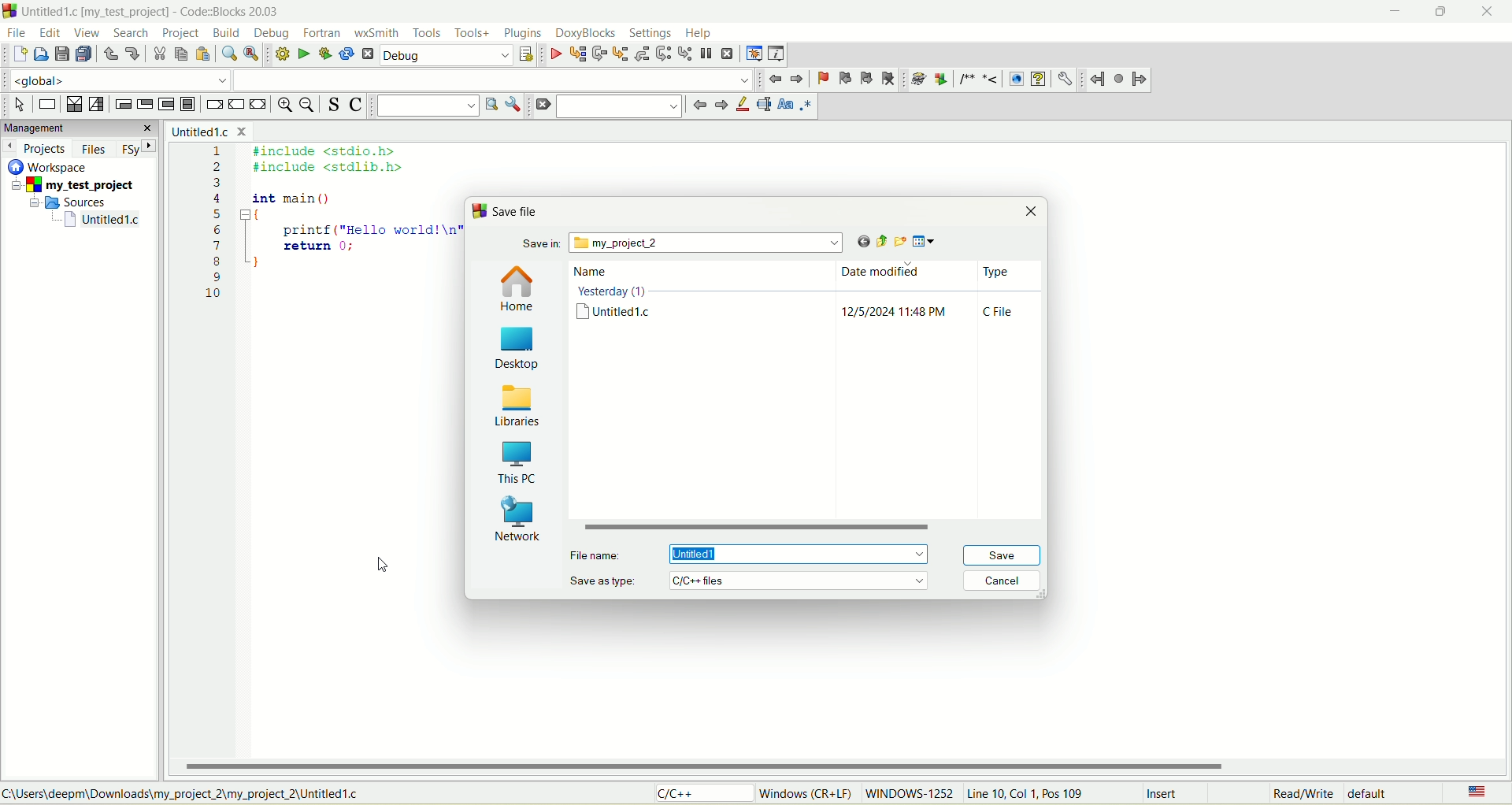  Describe the element at coordinates (346, 55) in the screenshot. I see `rebuild` at that location.